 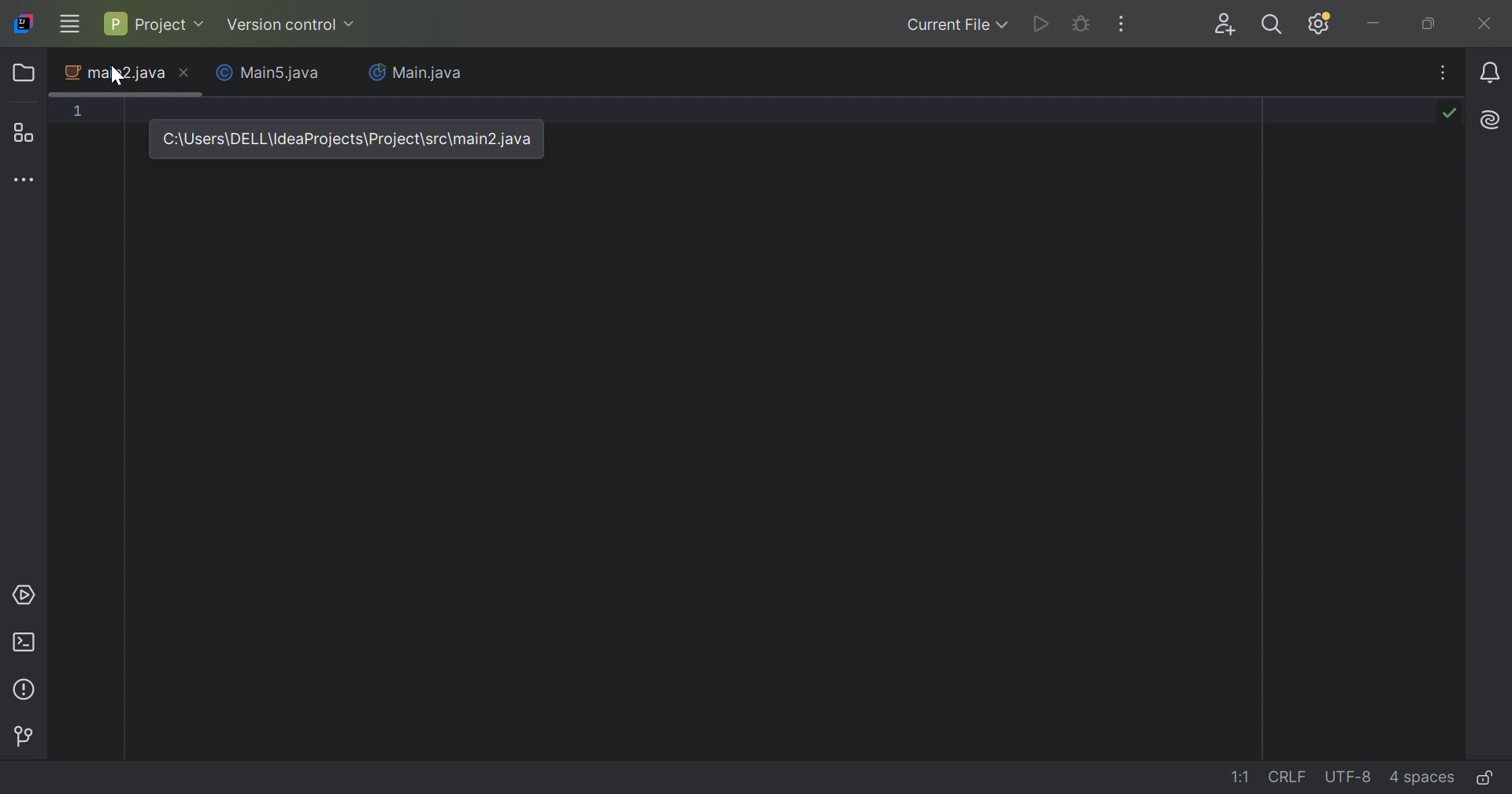 What do you see at coordinates (1242, 777) in the screenshot?
I see `go to line` at bounding box center [1242, 777].